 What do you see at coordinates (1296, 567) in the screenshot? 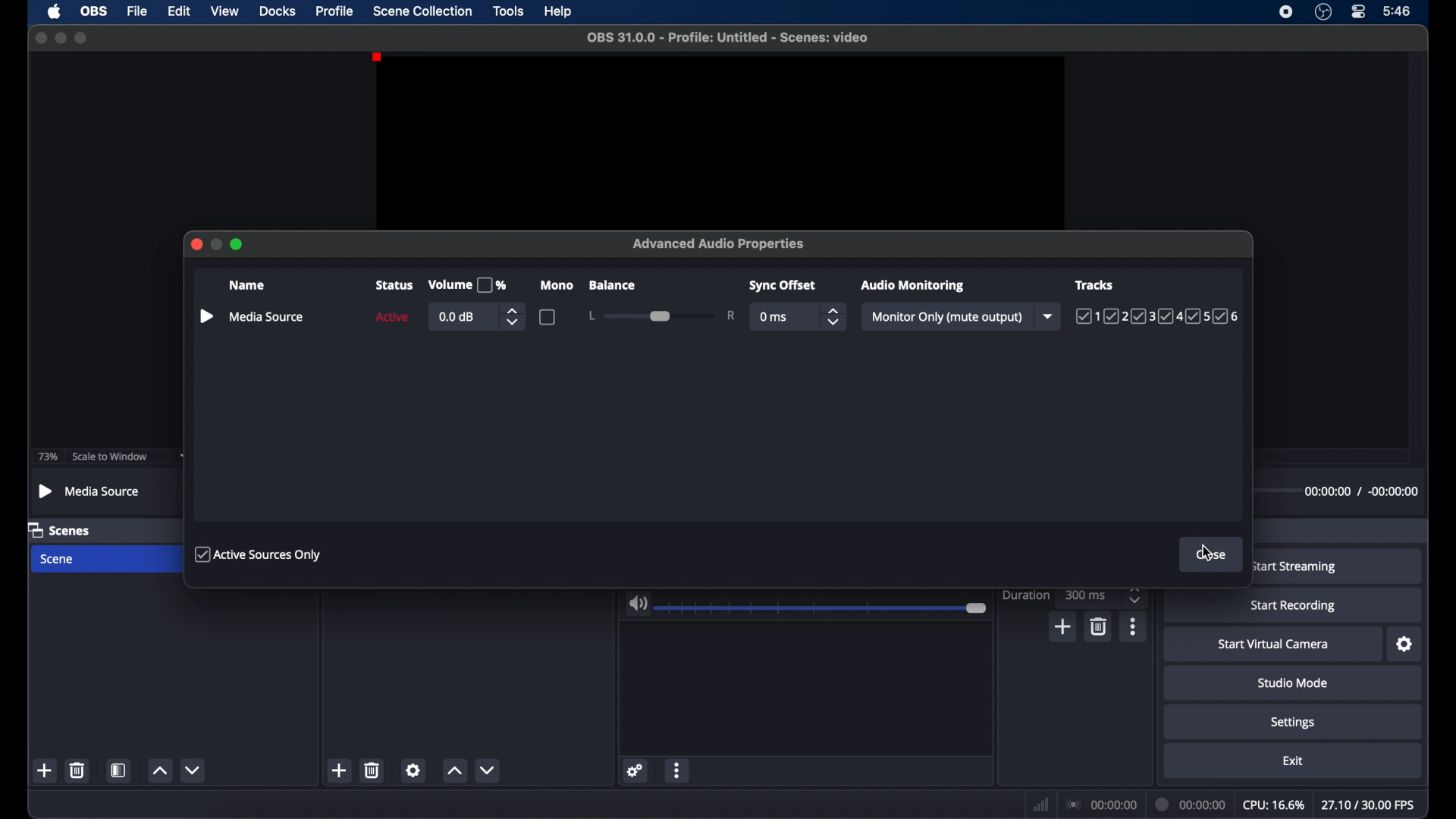
I see `start streaming` at bounding box center [1296, 567].